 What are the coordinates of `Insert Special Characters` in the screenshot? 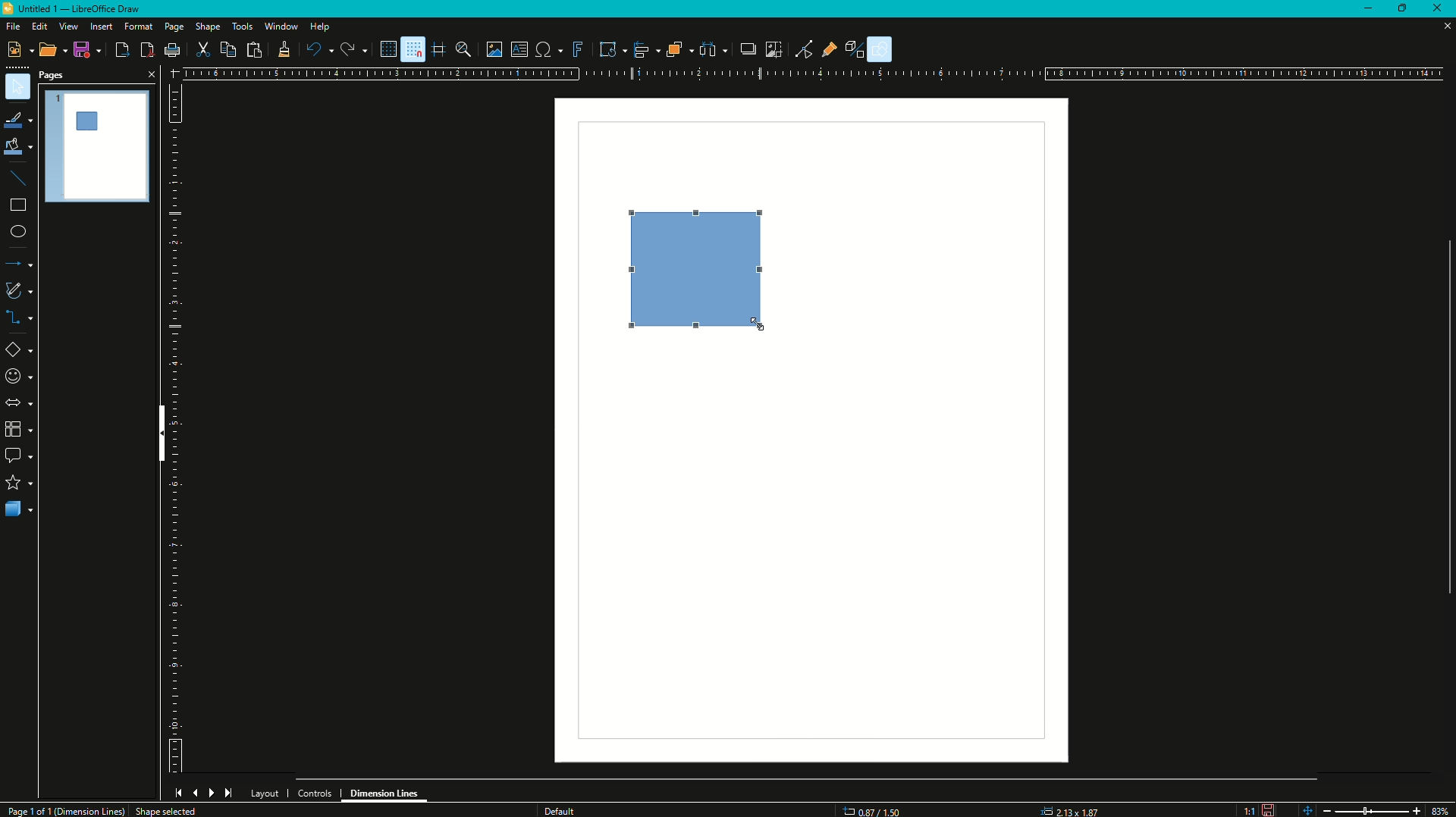 It's located at (548, 47).